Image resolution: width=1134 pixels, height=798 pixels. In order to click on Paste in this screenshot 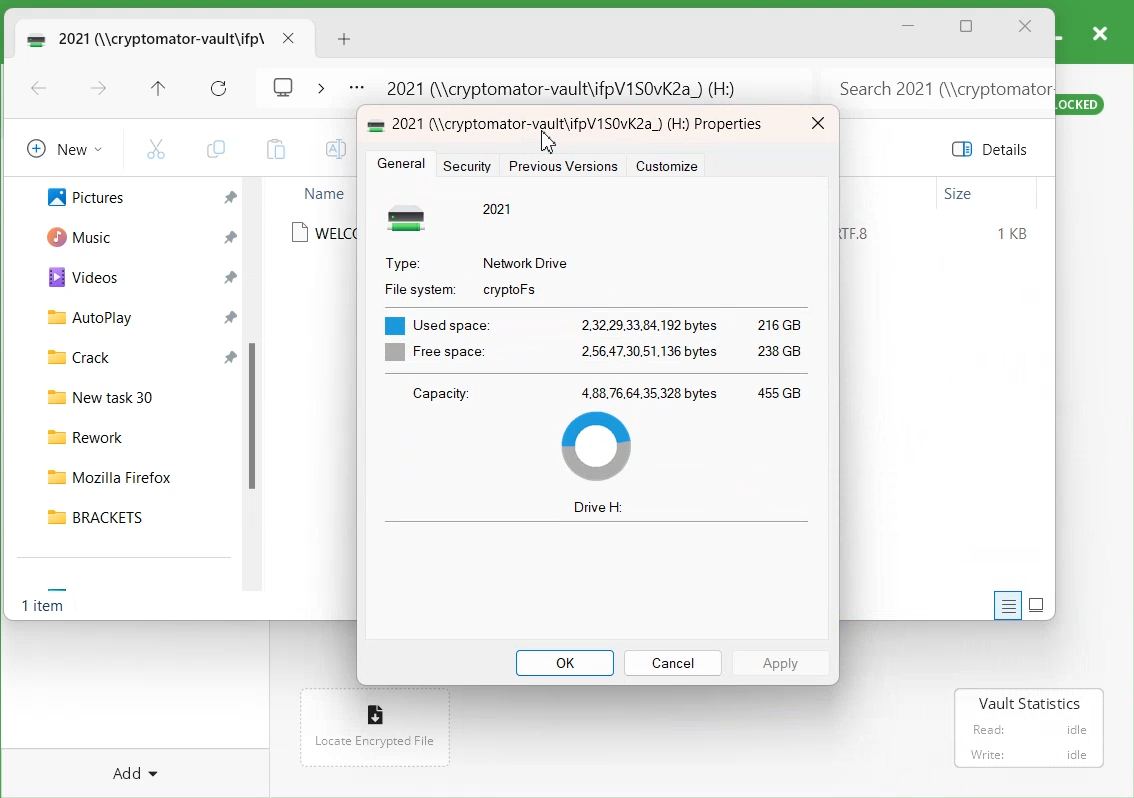, I will do `click(275, 149)`.